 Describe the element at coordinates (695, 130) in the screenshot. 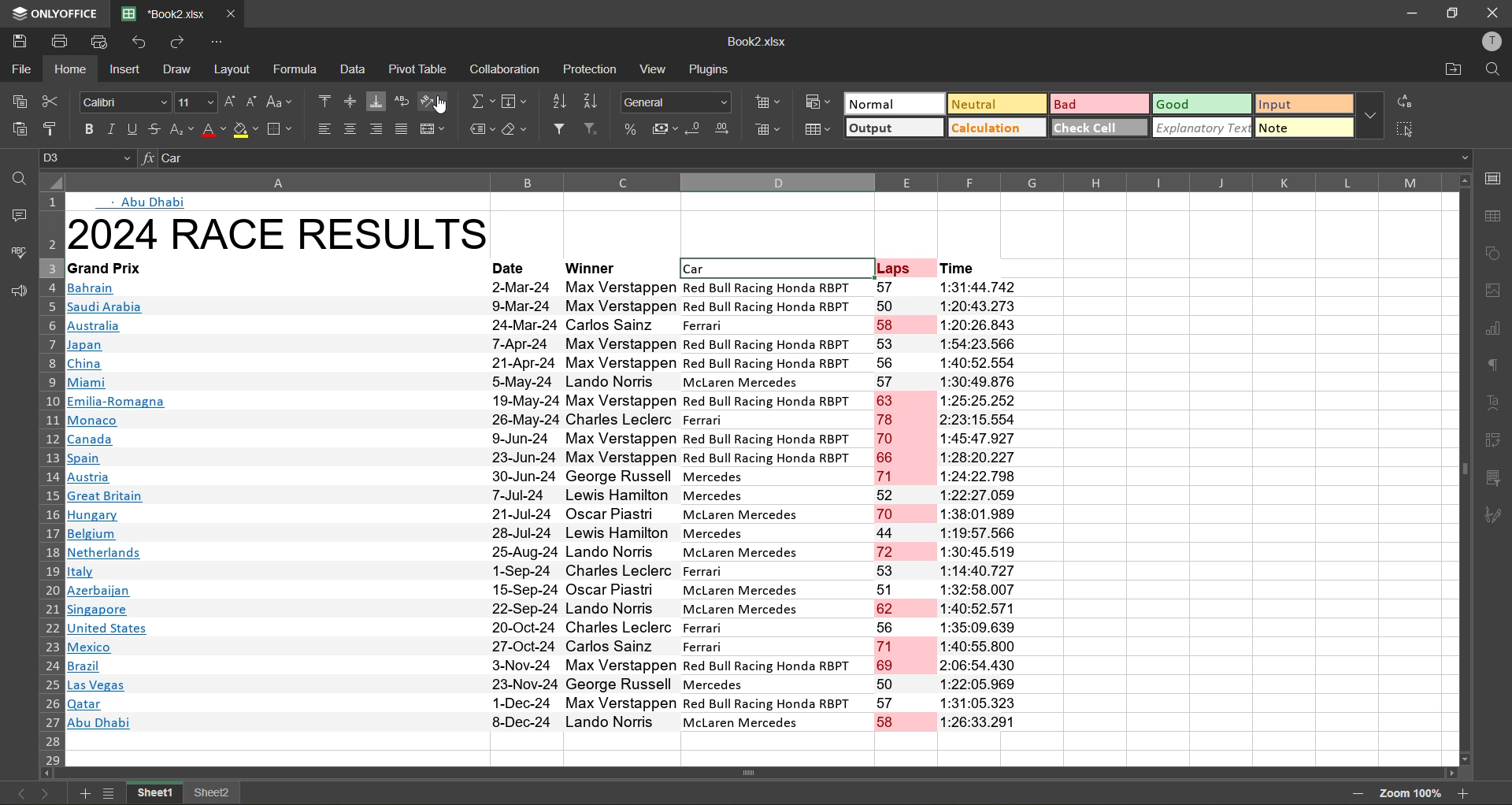

I see `decrease decimal` at that location.